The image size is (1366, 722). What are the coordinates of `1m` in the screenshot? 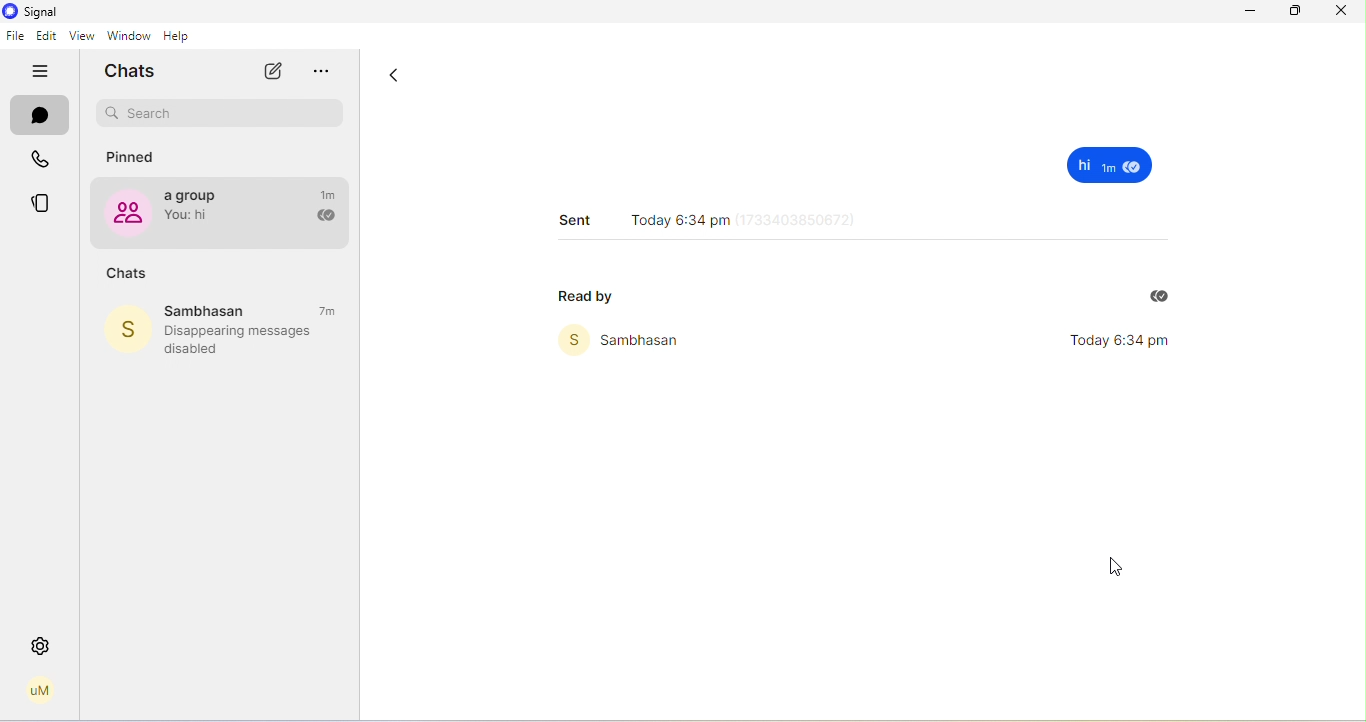 It's located at (330, 194).